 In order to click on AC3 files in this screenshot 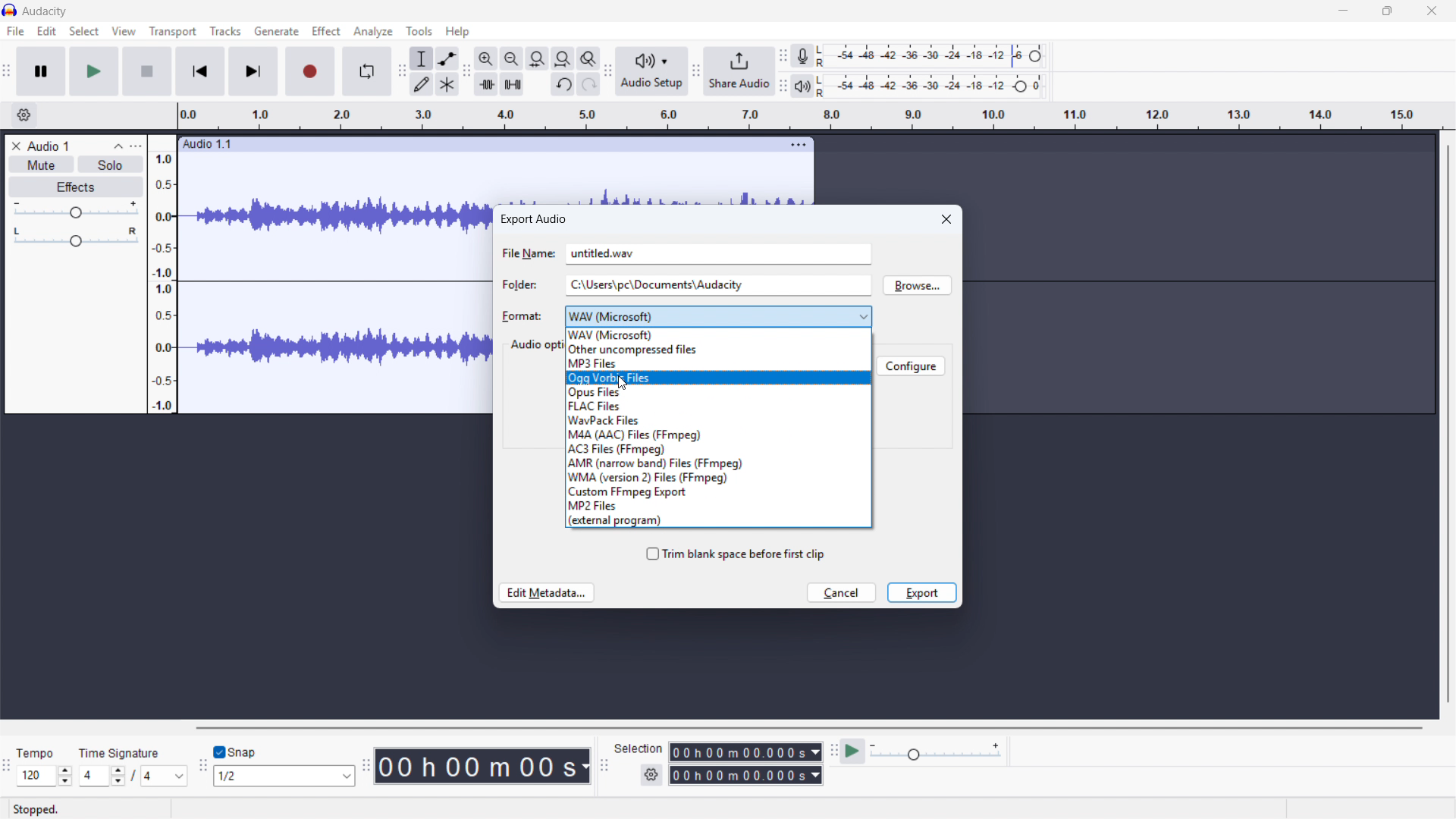, I will do `click(718, 448)`.